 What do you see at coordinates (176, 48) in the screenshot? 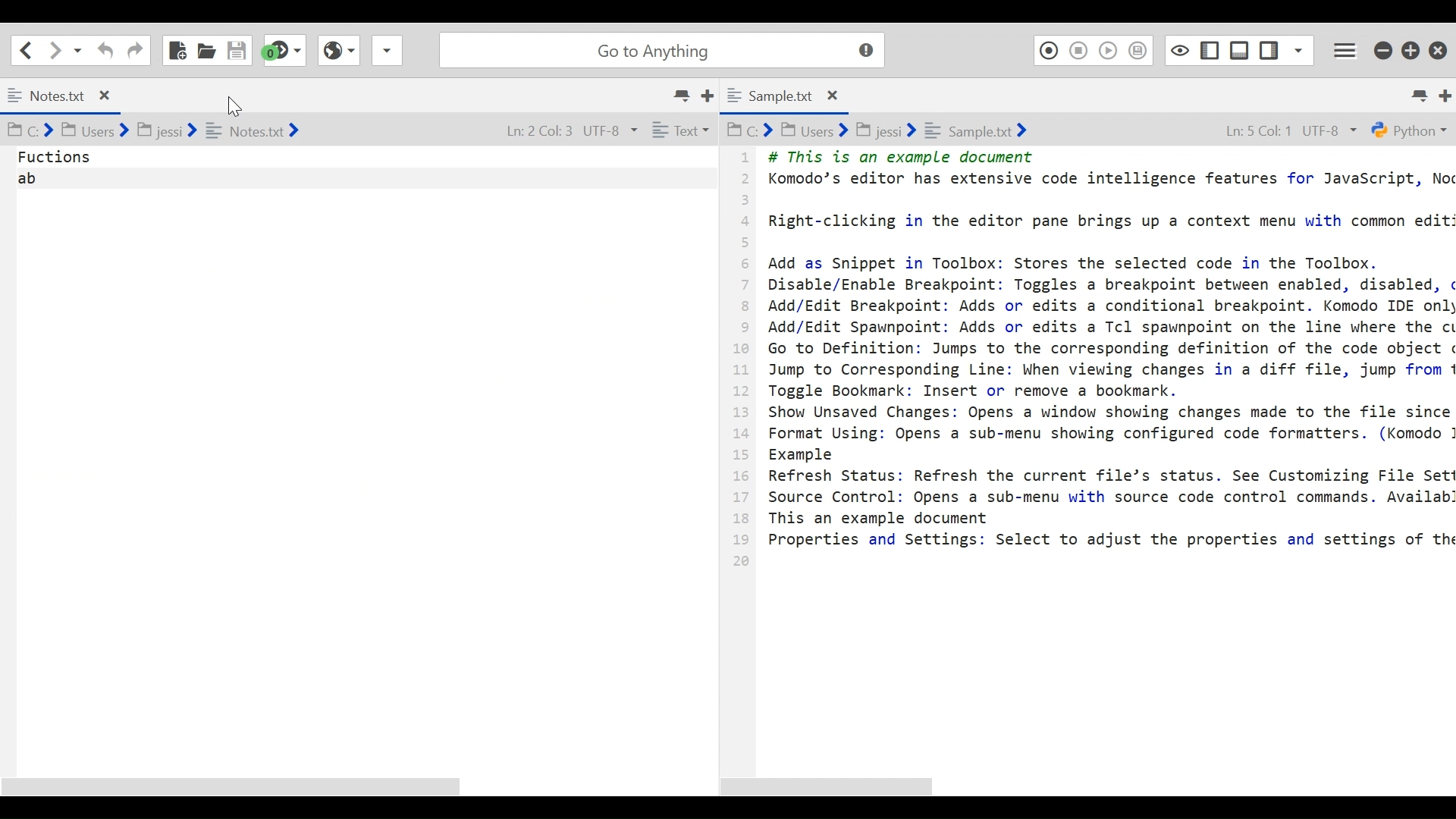
I see `New File` at bounding box center [176, 48].